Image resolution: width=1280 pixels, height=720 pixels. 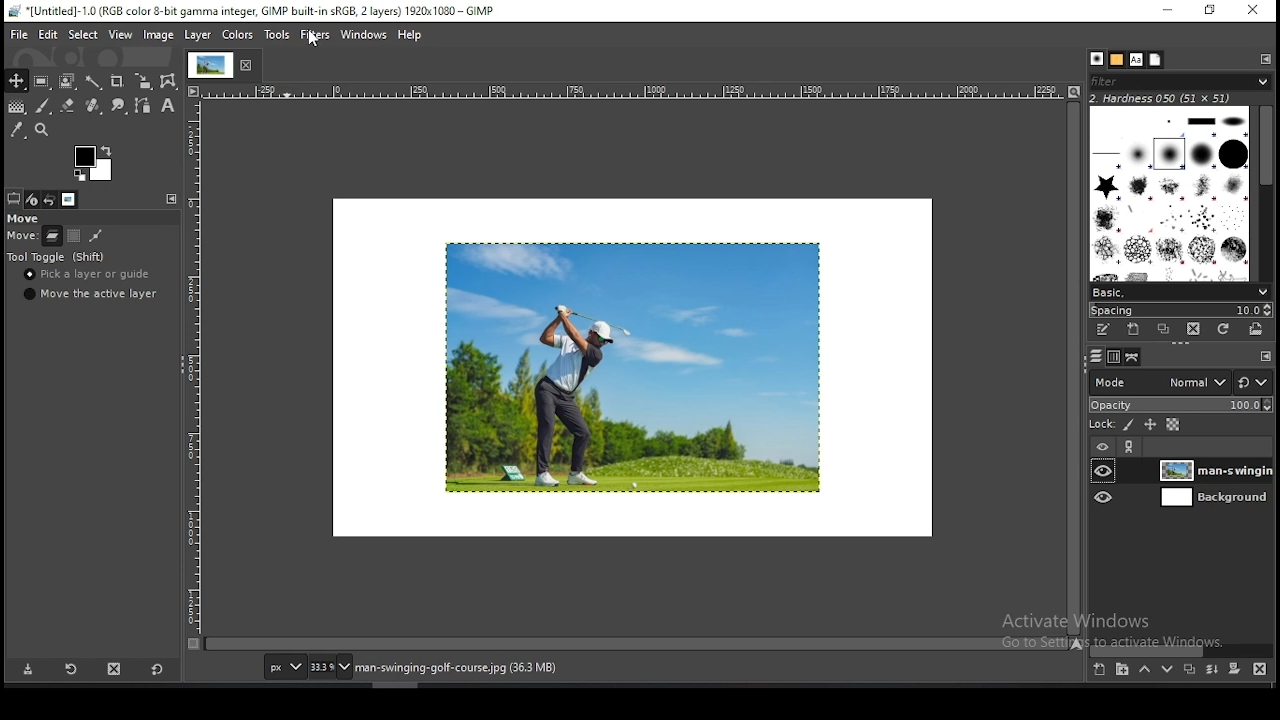 What do you see at coordinates (1137, 60) in the screenshot?
I see `fonts` at bounding box center [1137, 60].